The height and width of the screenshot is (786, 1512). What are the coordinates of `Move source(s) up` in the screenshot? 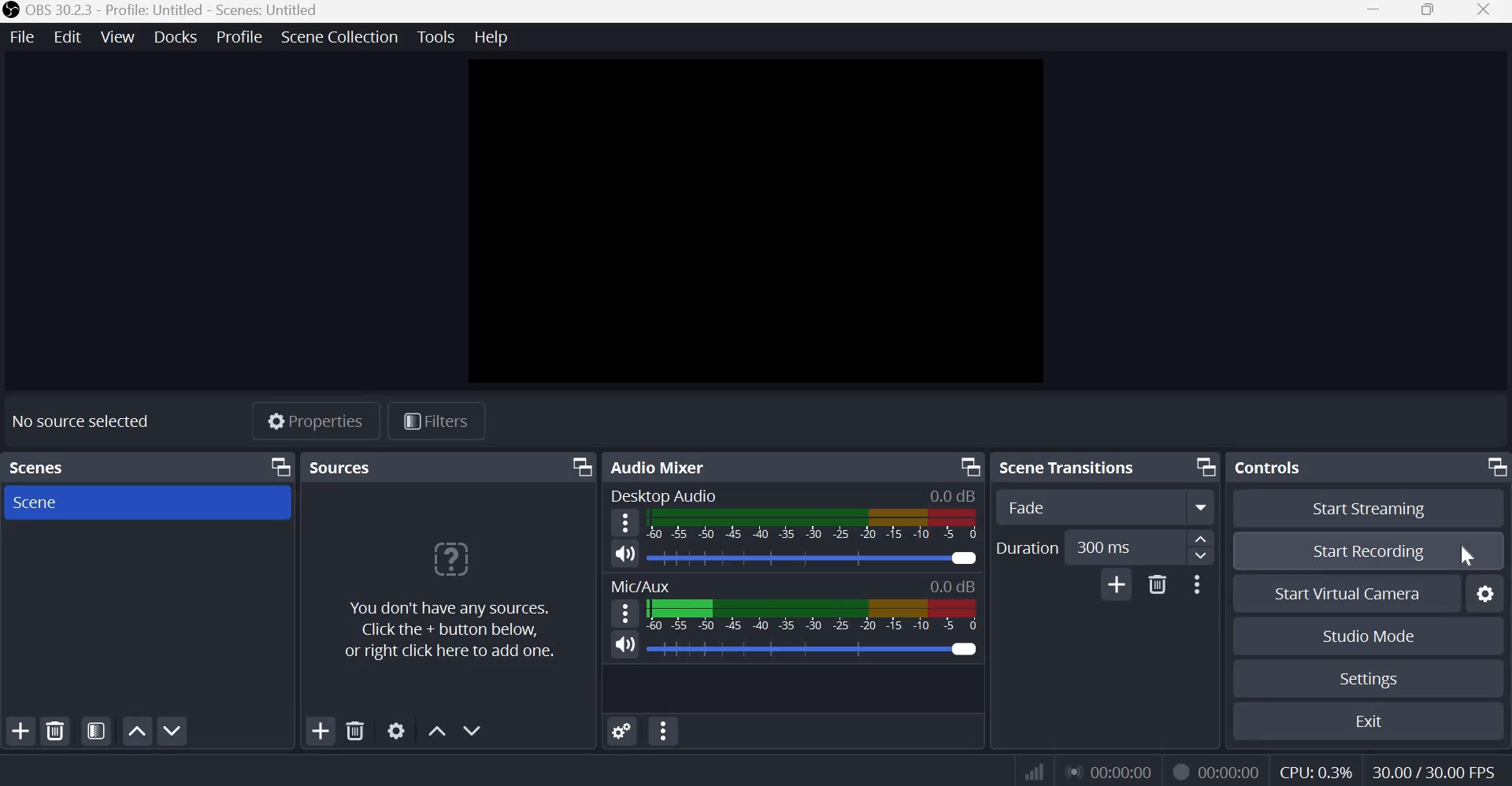 It's located at (438, 730).